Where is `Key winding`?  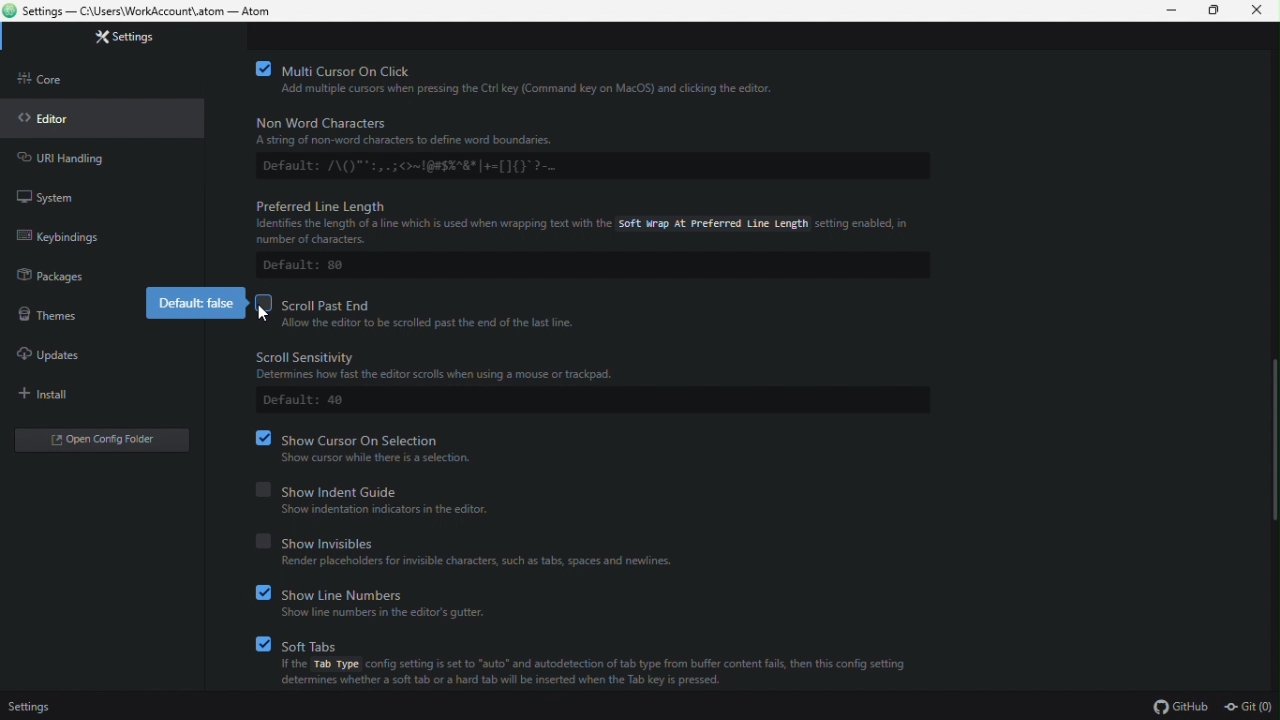 Key winding is located at coordinates (72, 240).